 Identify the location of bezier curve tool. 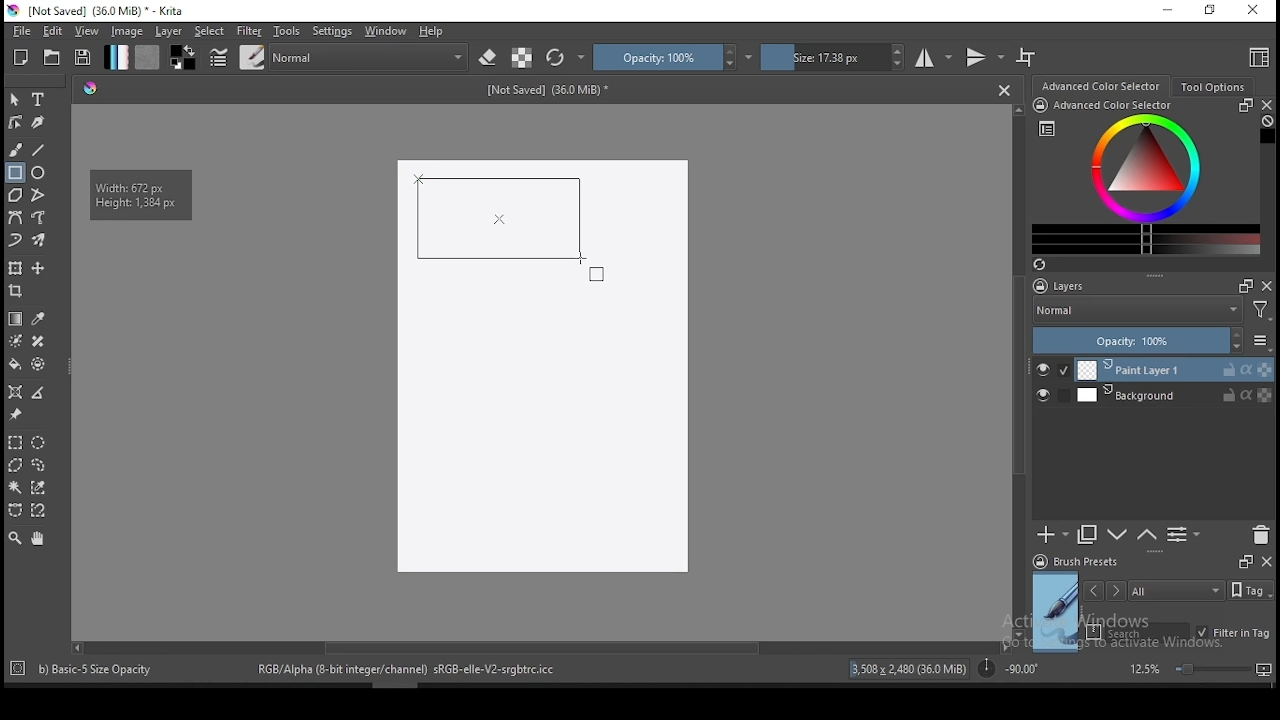
(14, 219).